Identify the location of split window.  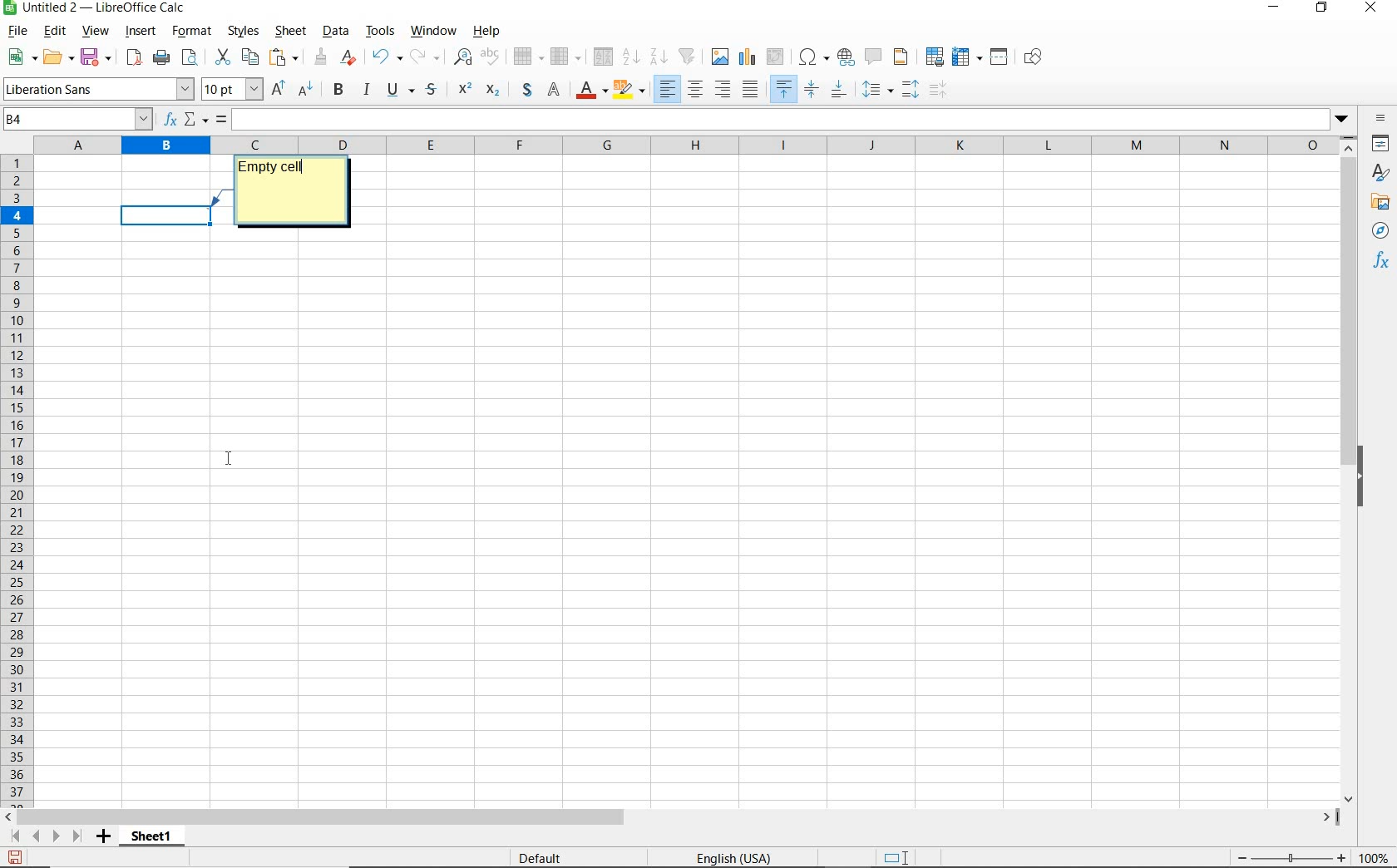
(1000, 57).